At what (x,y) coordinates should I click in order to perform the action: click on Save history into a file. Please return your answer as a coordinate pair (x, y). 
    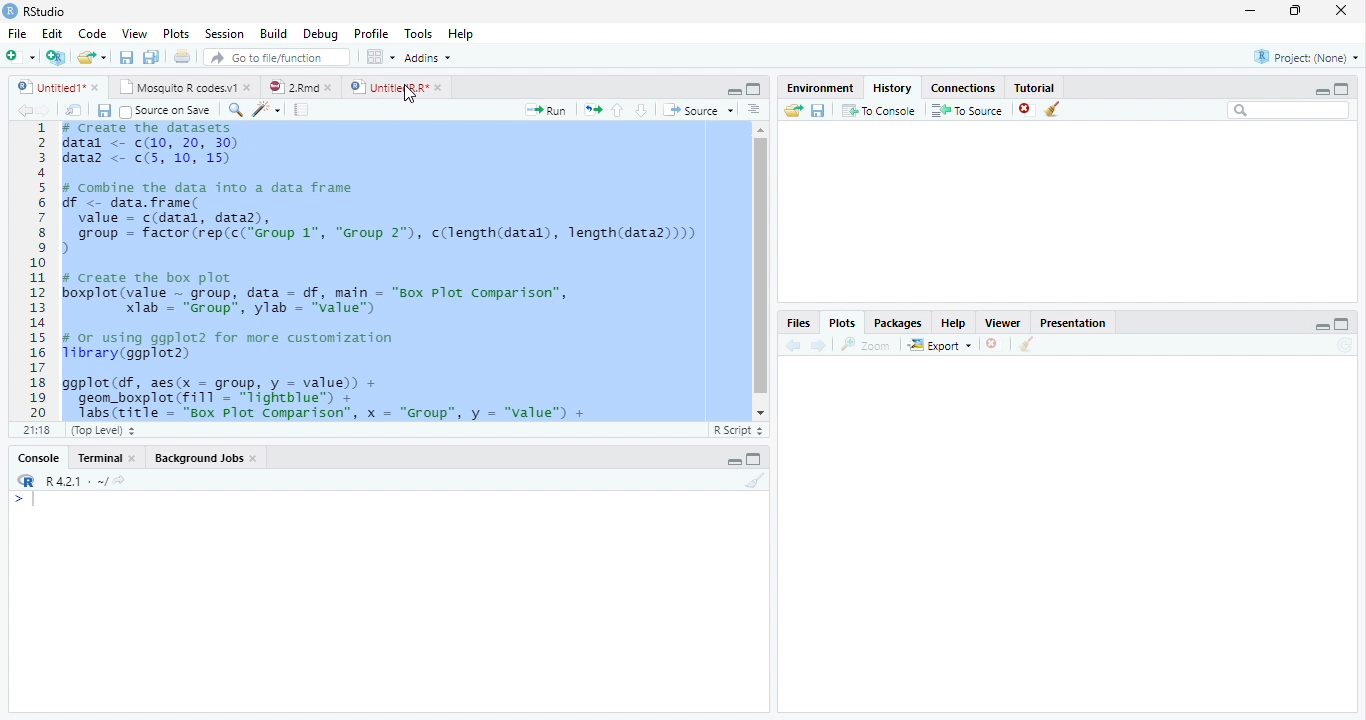
    Looking at the image, I should click on (819, 110).